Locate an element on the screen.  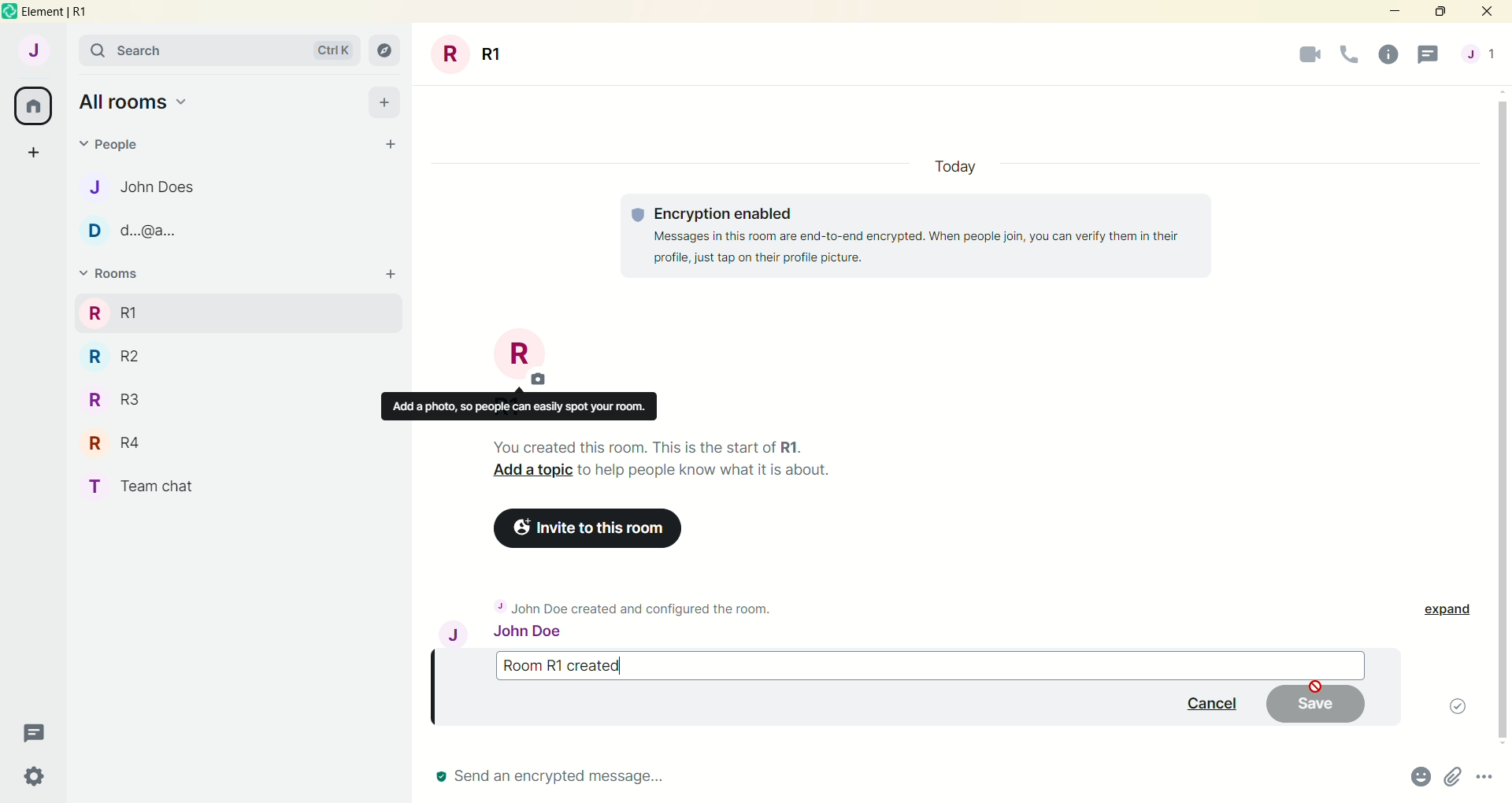
vertical scroll bar is located at coordinates (1503, 417).